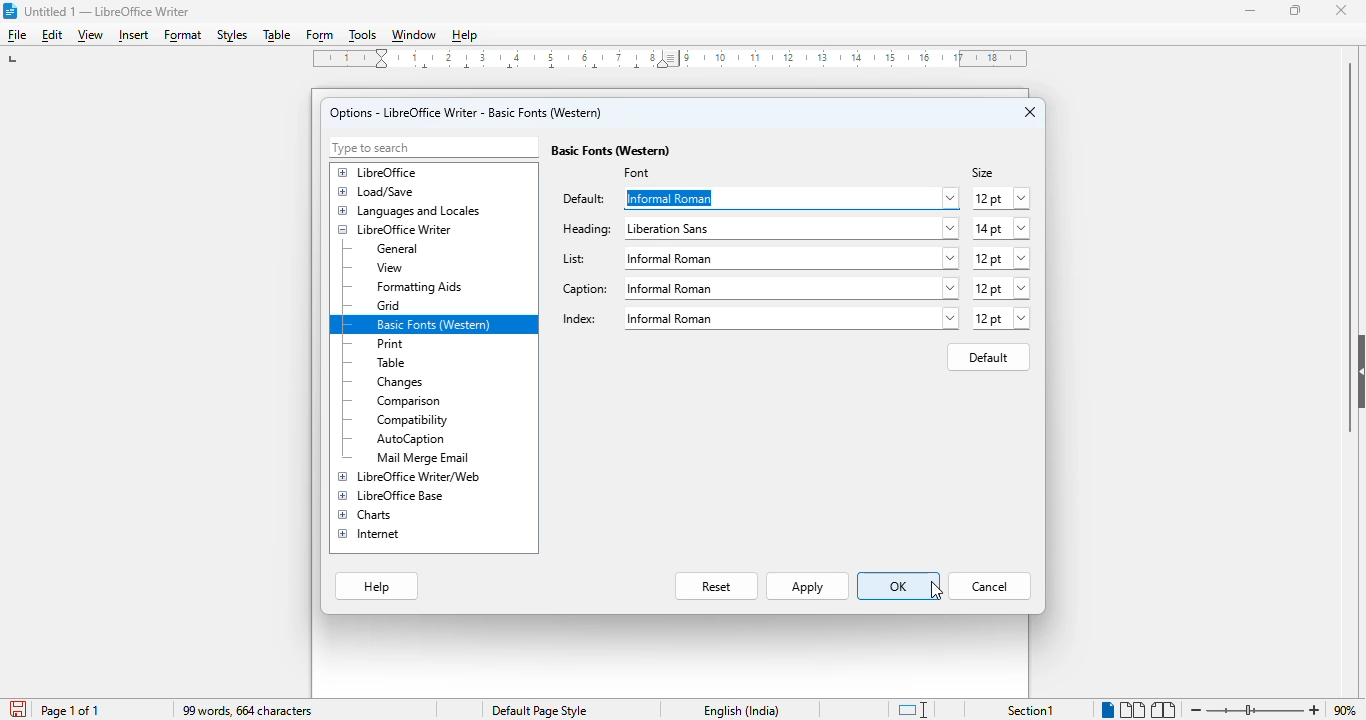  Describe the element at coordinates (577, 319) in the screenshot. I see `index: ` at that location.